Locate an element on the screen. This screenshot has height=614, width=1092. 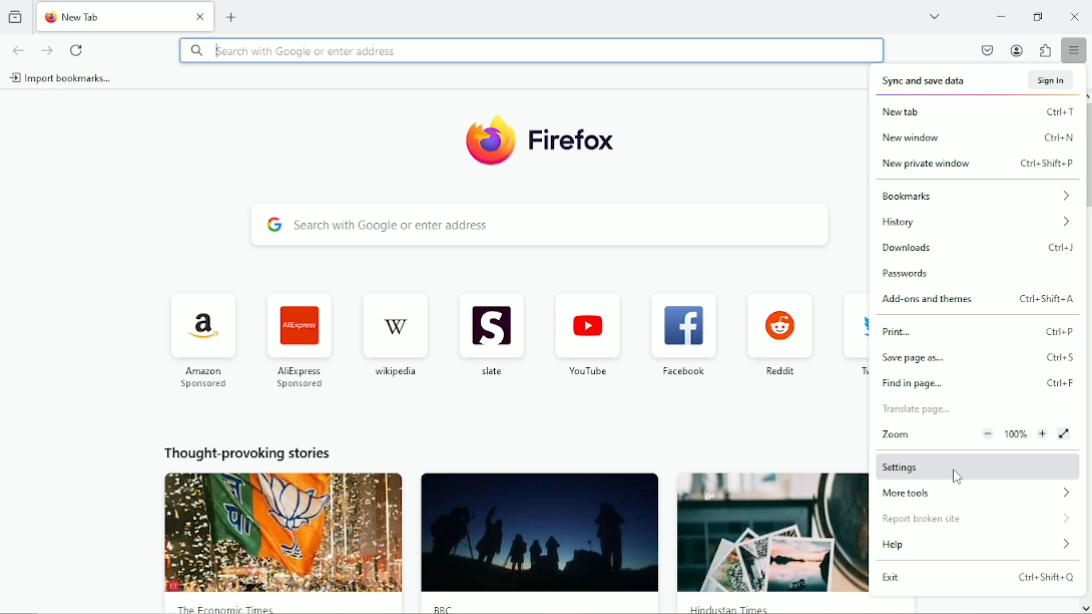
Twitter is located at coordinates (851, 338).